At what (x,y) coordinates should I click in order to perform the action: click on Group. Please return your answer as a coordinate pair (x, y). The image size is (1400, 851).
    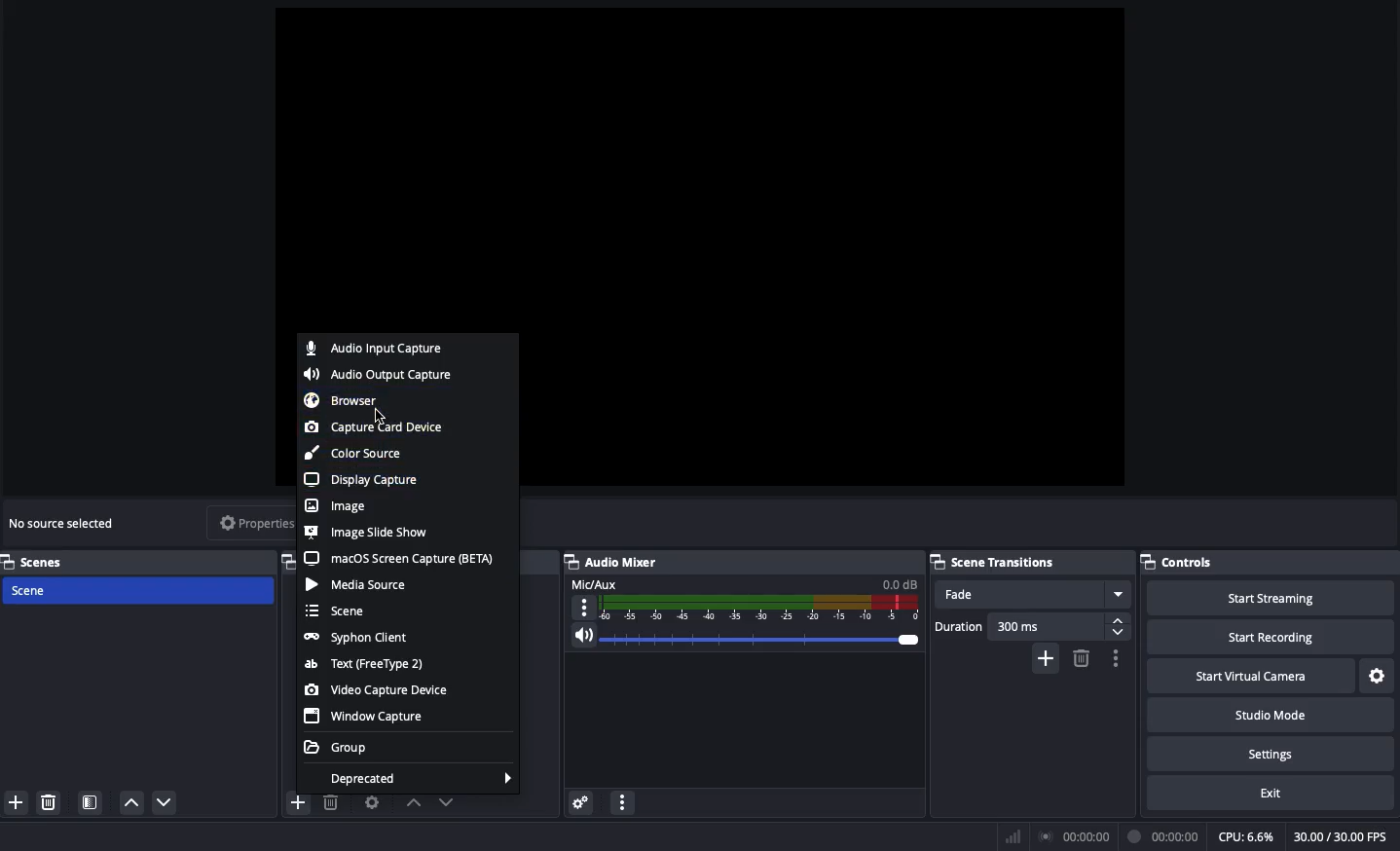
    Looking at the image, I should click on (348, 749).